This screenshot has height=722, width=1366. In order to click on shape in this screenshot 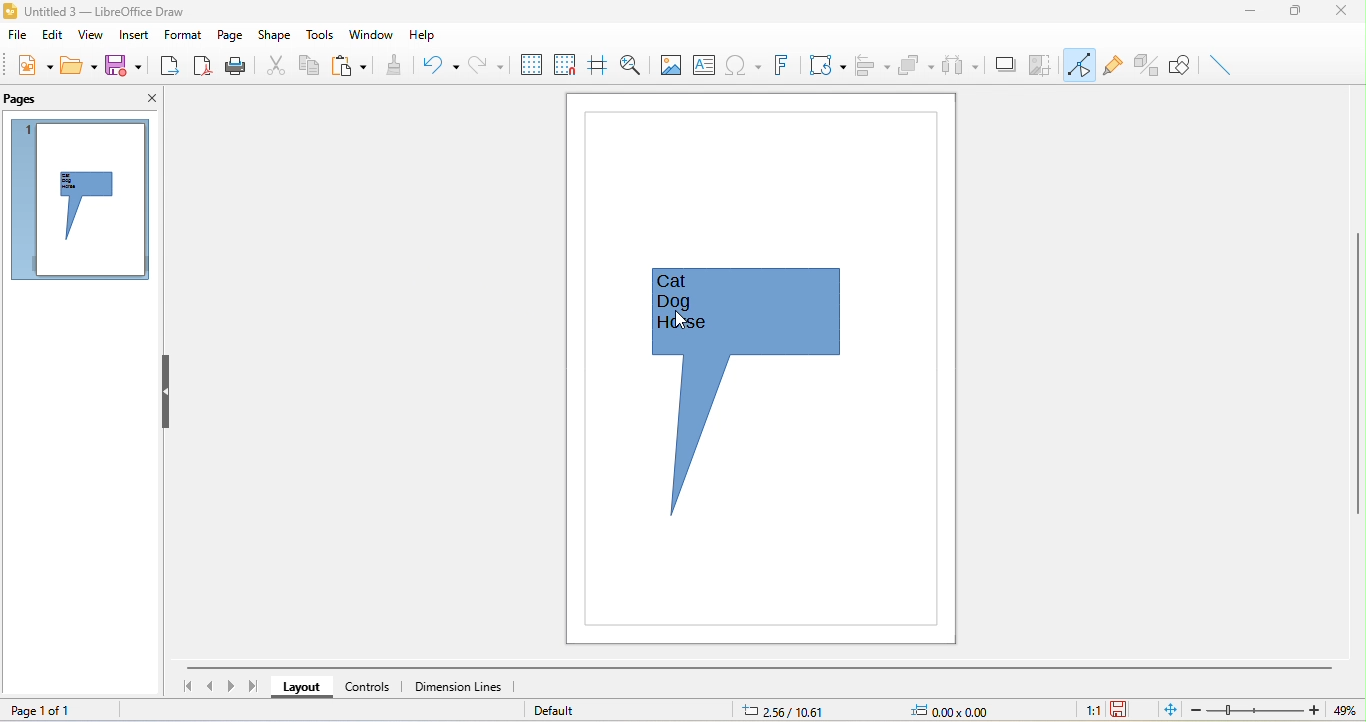, I will do `click(276, 35)`.